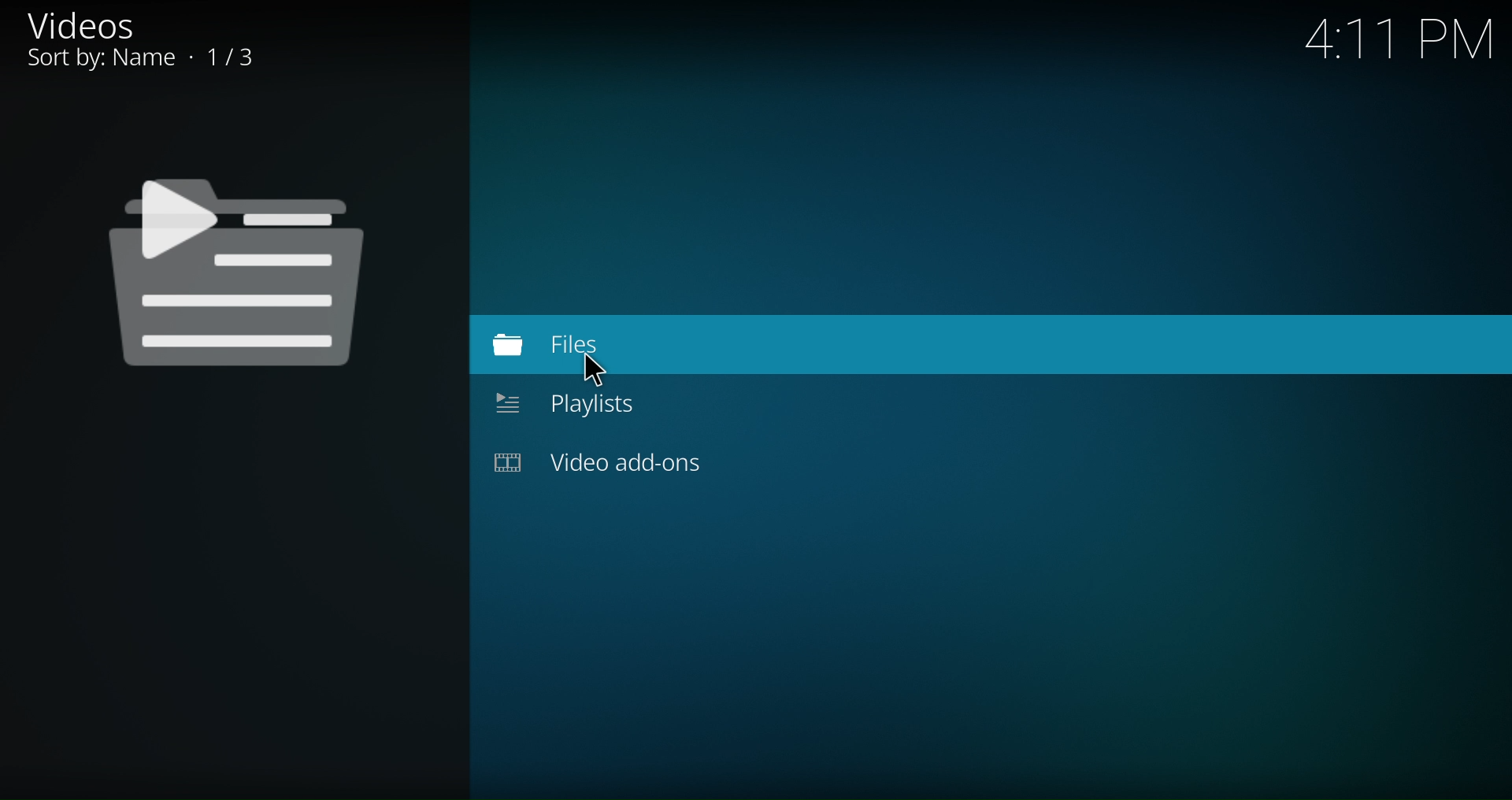 The width and height of the screenshot is (1512, 800). Describe the element at coordinates (601, 343) in the screenshot. I see `Files` at that location.